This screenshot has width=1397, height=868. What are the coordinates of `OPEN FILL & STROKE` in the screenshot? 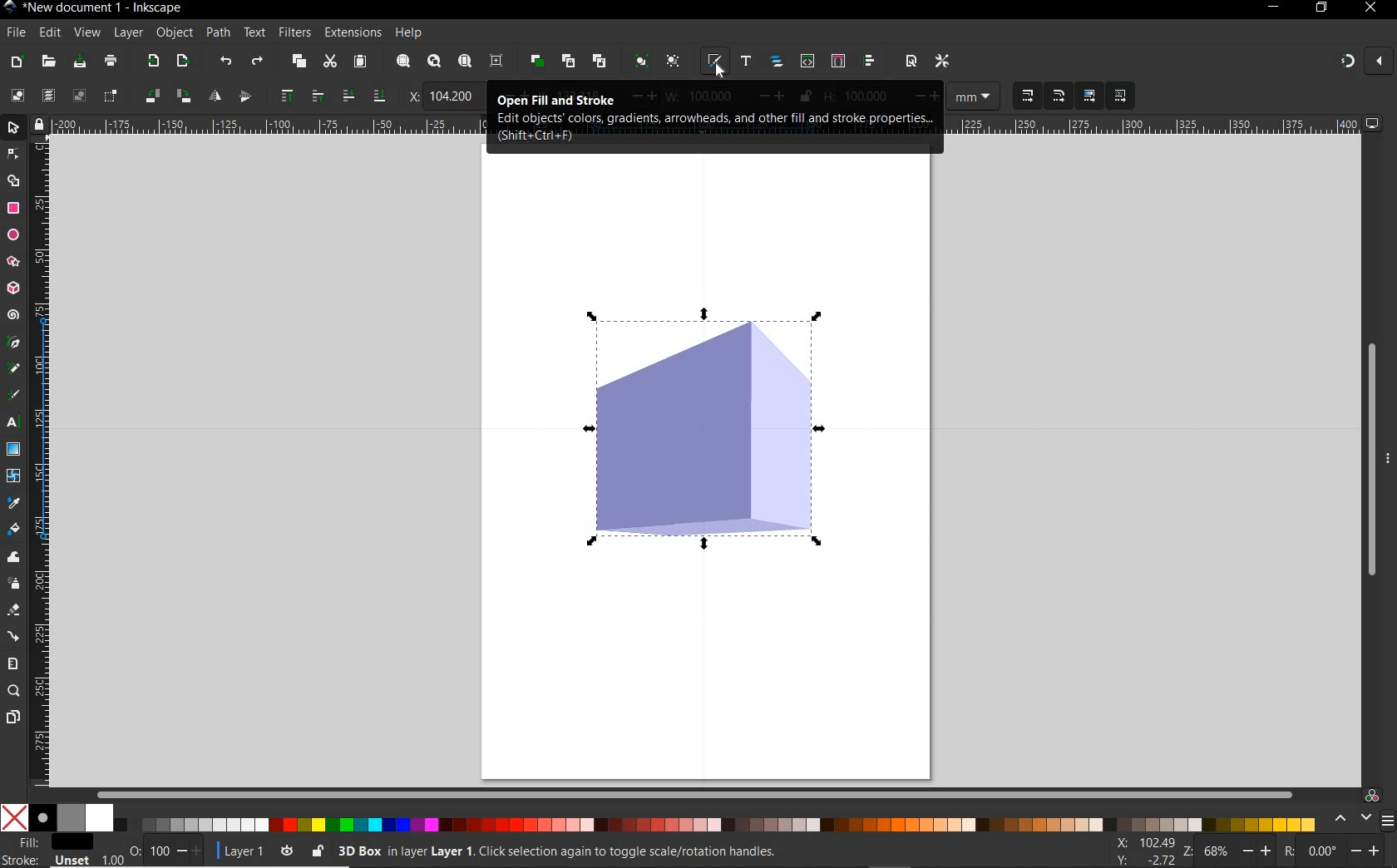 It's located at (713, 60).